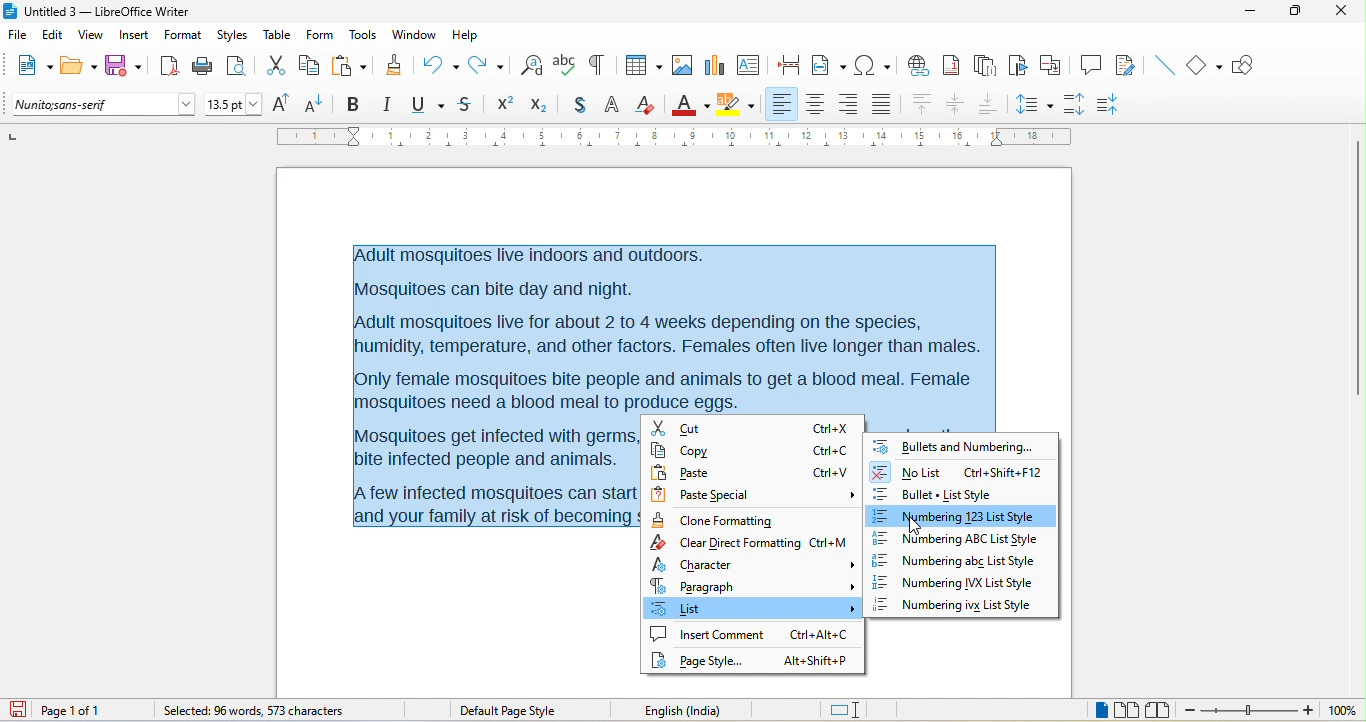 Image resolution: width=1366 pixels, height=722 pixels. I want to click on increase size, so click(285, 104).